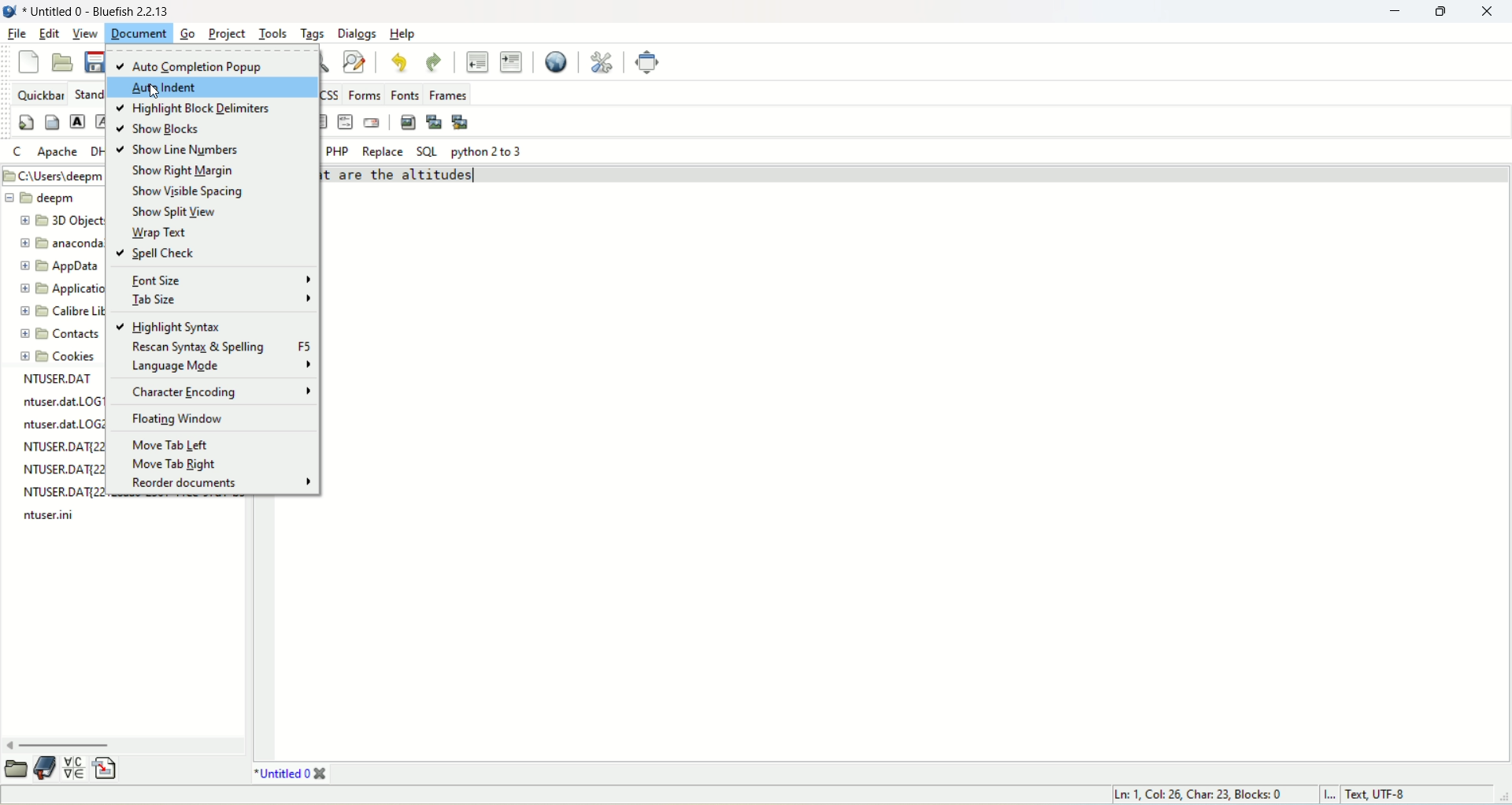 This screenshot has width=1512, height=805. I want to click on title, so click(289, 775).